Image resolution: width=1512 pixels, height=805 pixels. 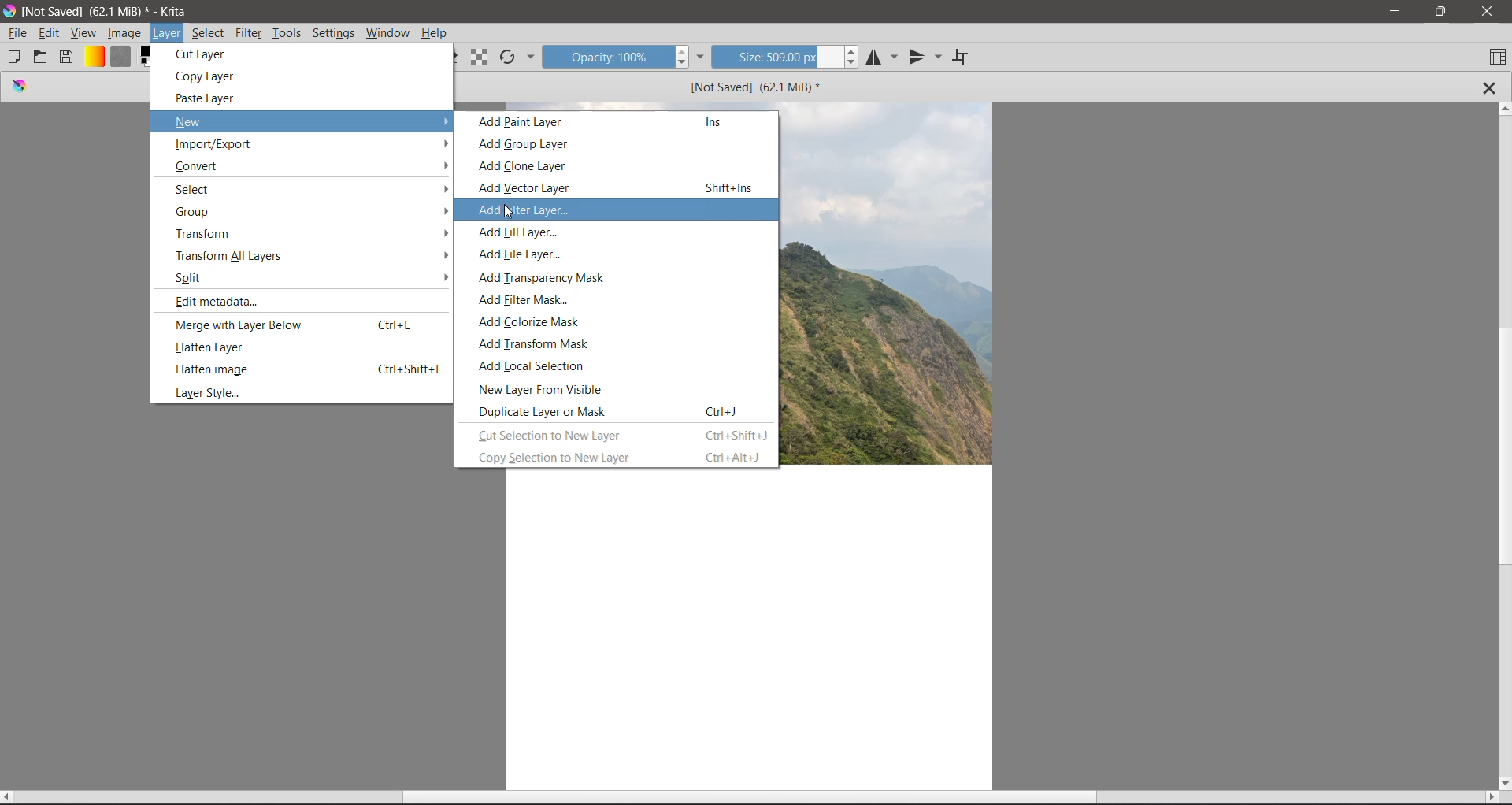 I want to click on Vertical Scroll Tab, so click(x=1503, y=445).